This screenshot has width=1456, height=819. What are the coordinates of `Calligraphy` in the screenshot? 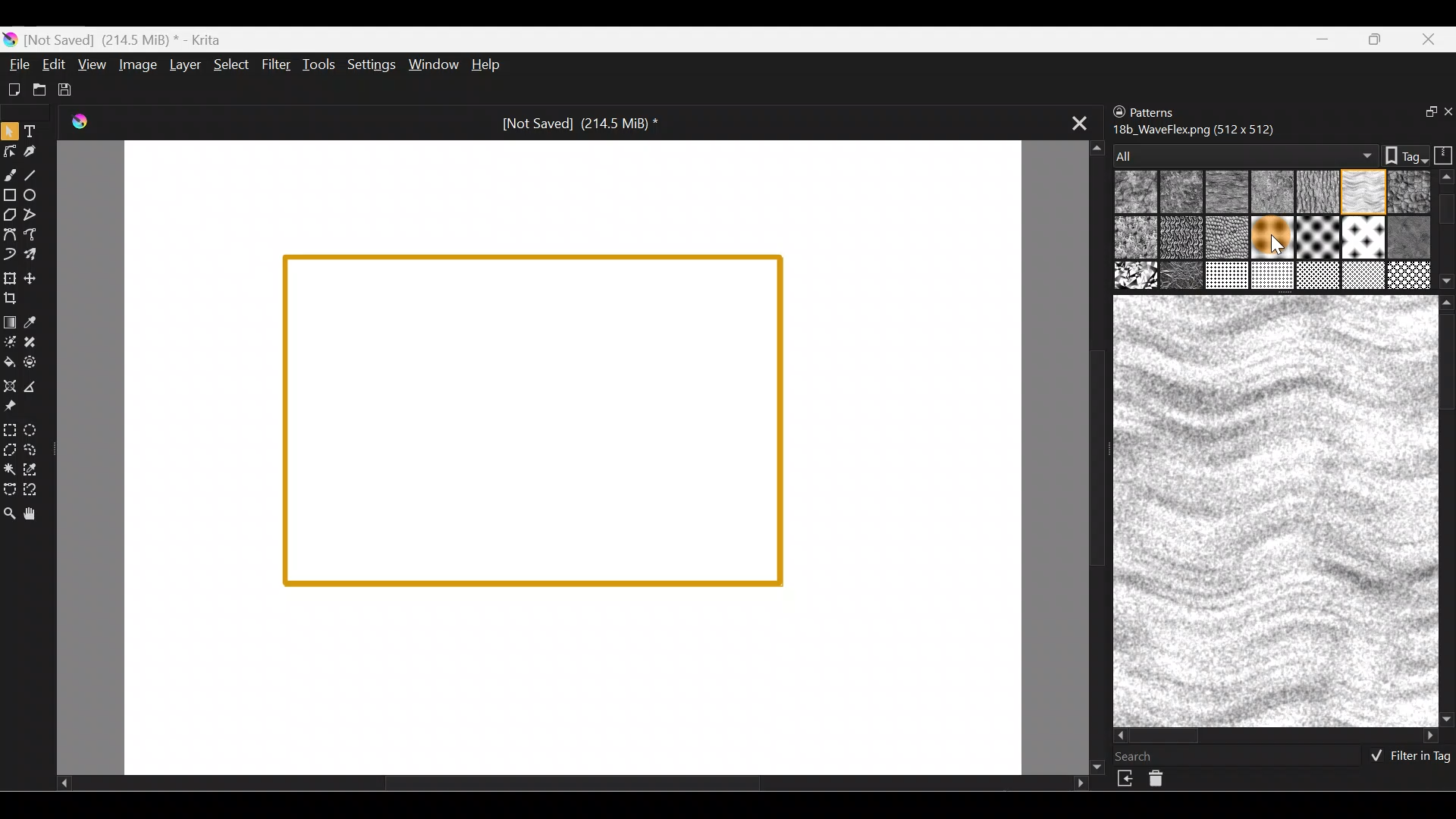 It's located at (33, 151).